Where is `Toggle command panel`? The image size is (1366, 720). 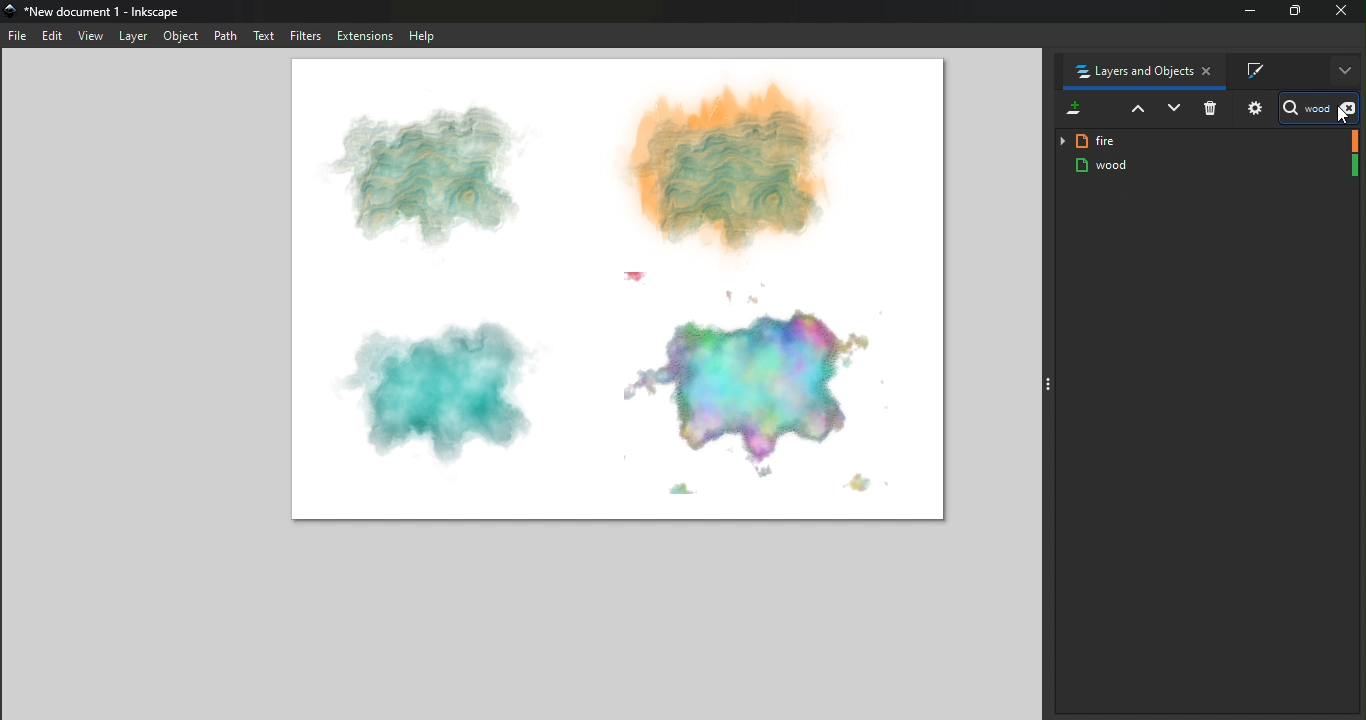
Toggle command panel is located at coordinates (1054, 382).